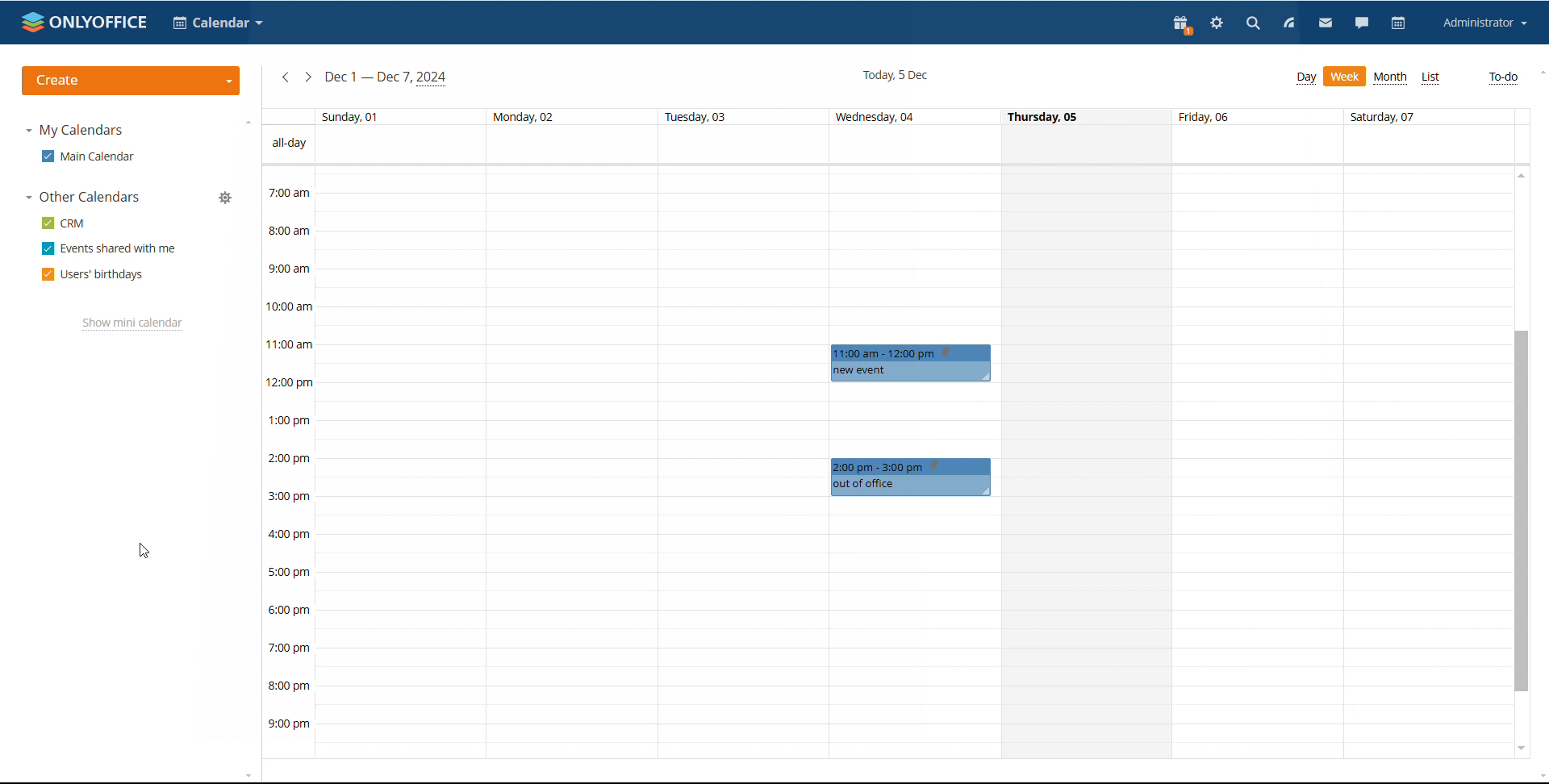  What do you see at coordinates (92, 275) in the screenshot?
I see `users' birthdays` at bounding box center [92, 275].